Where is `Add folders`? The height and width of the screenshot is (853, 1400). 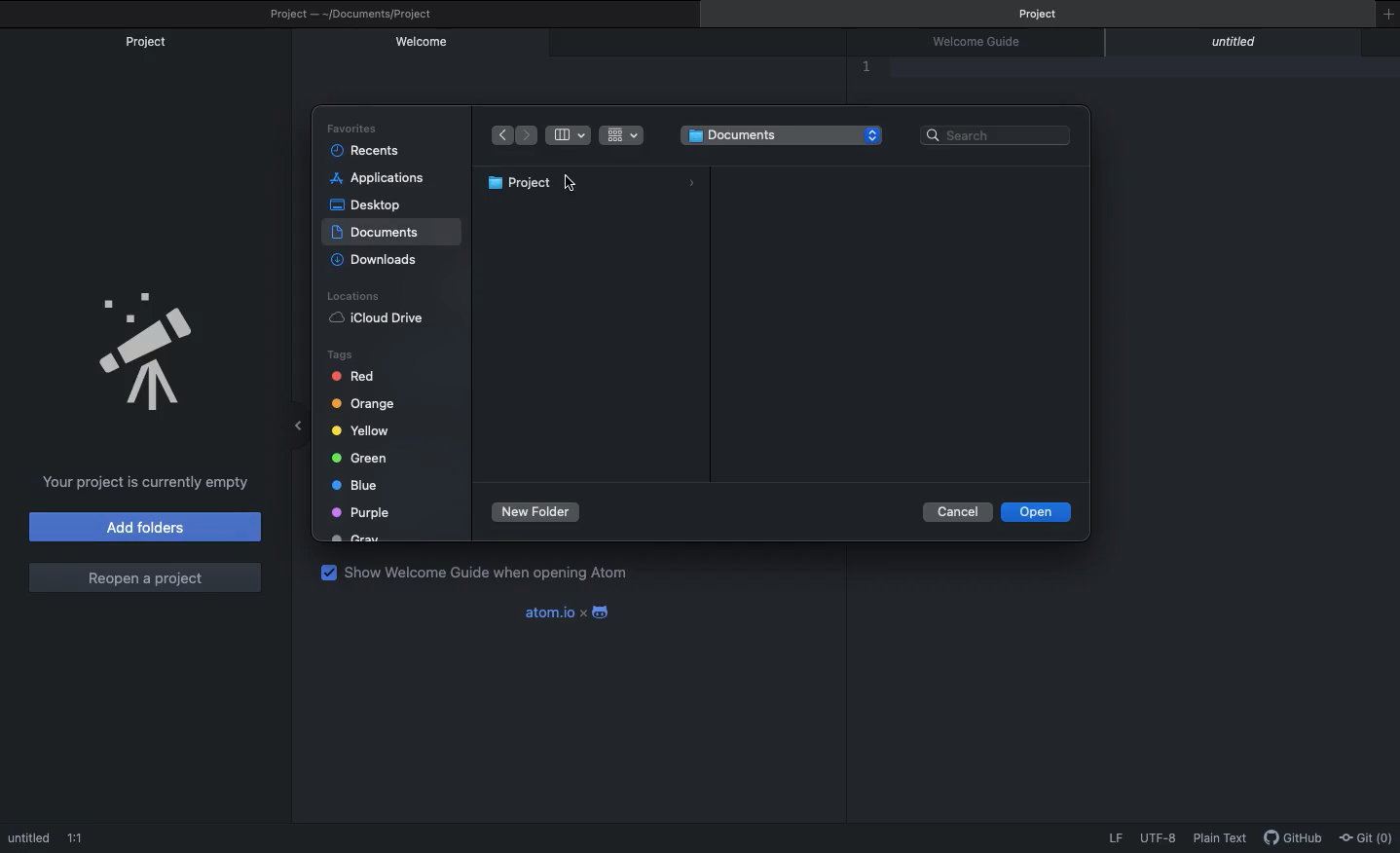
Add folders is located at coordinates (145, 527).